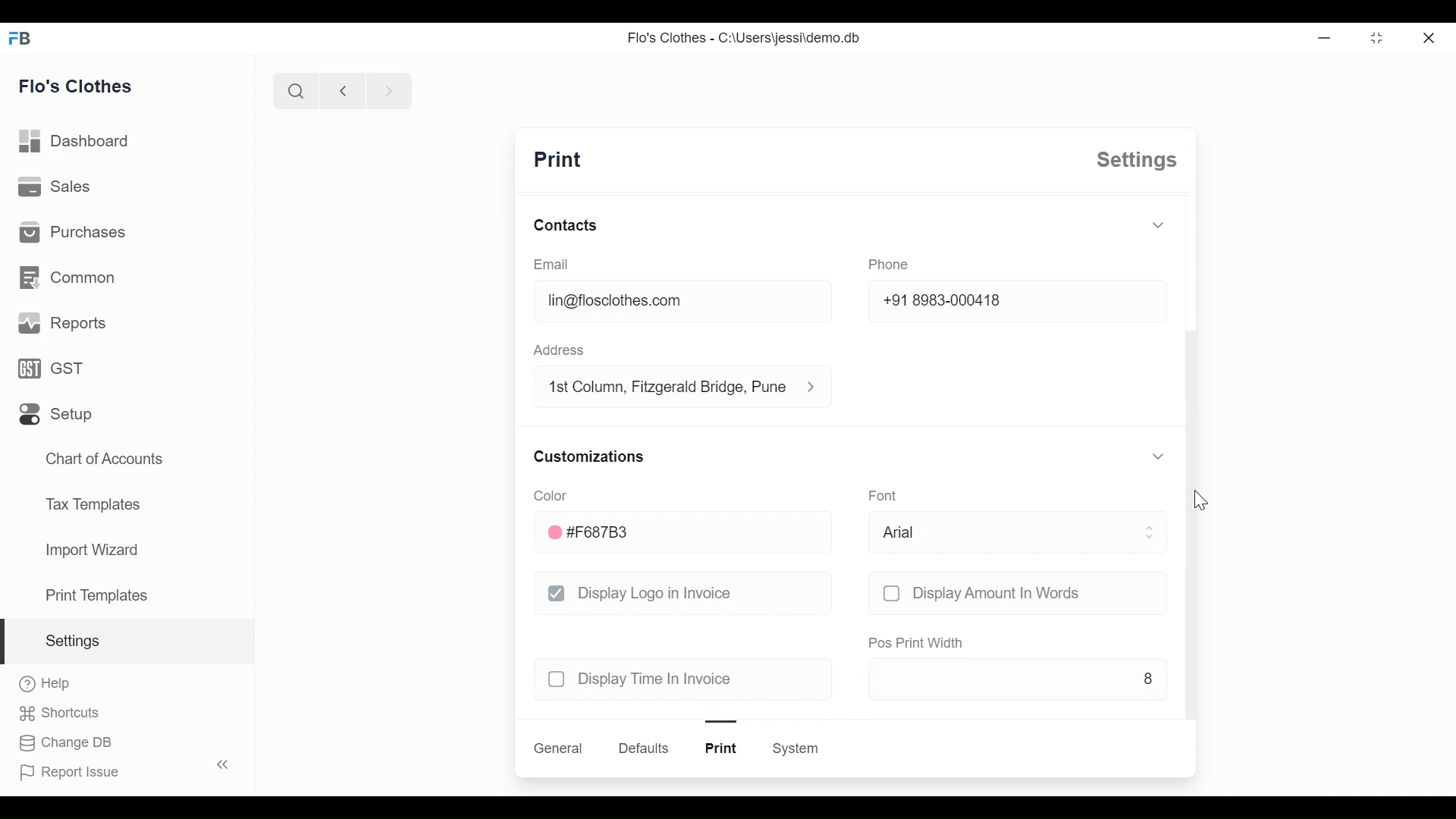  Describe the element at coordinates (67, 278) in the screenshot. I see `common` at that location.